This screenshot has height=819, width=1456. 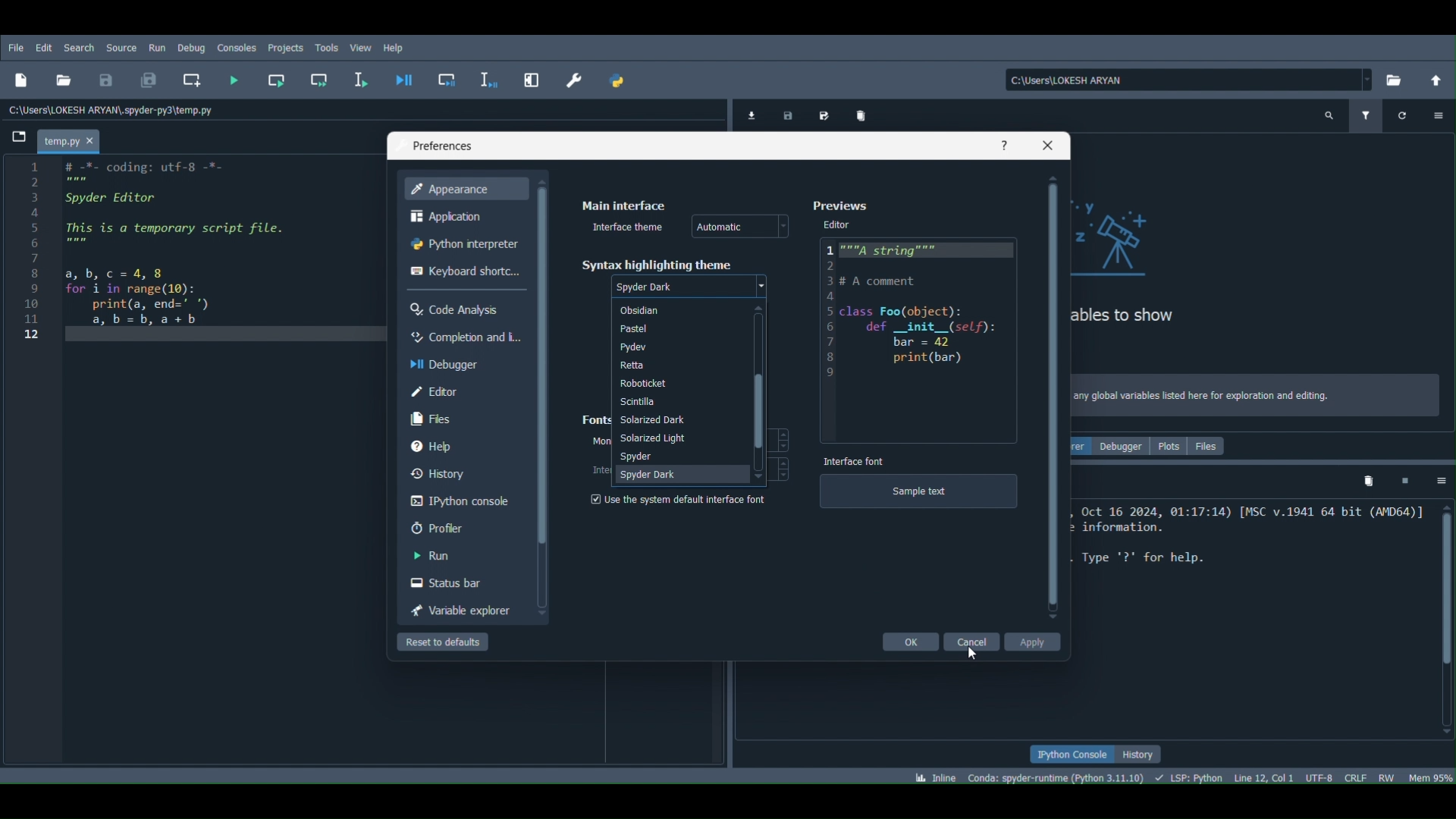 I want to click on Dropdown, so click(x=762, y=284).